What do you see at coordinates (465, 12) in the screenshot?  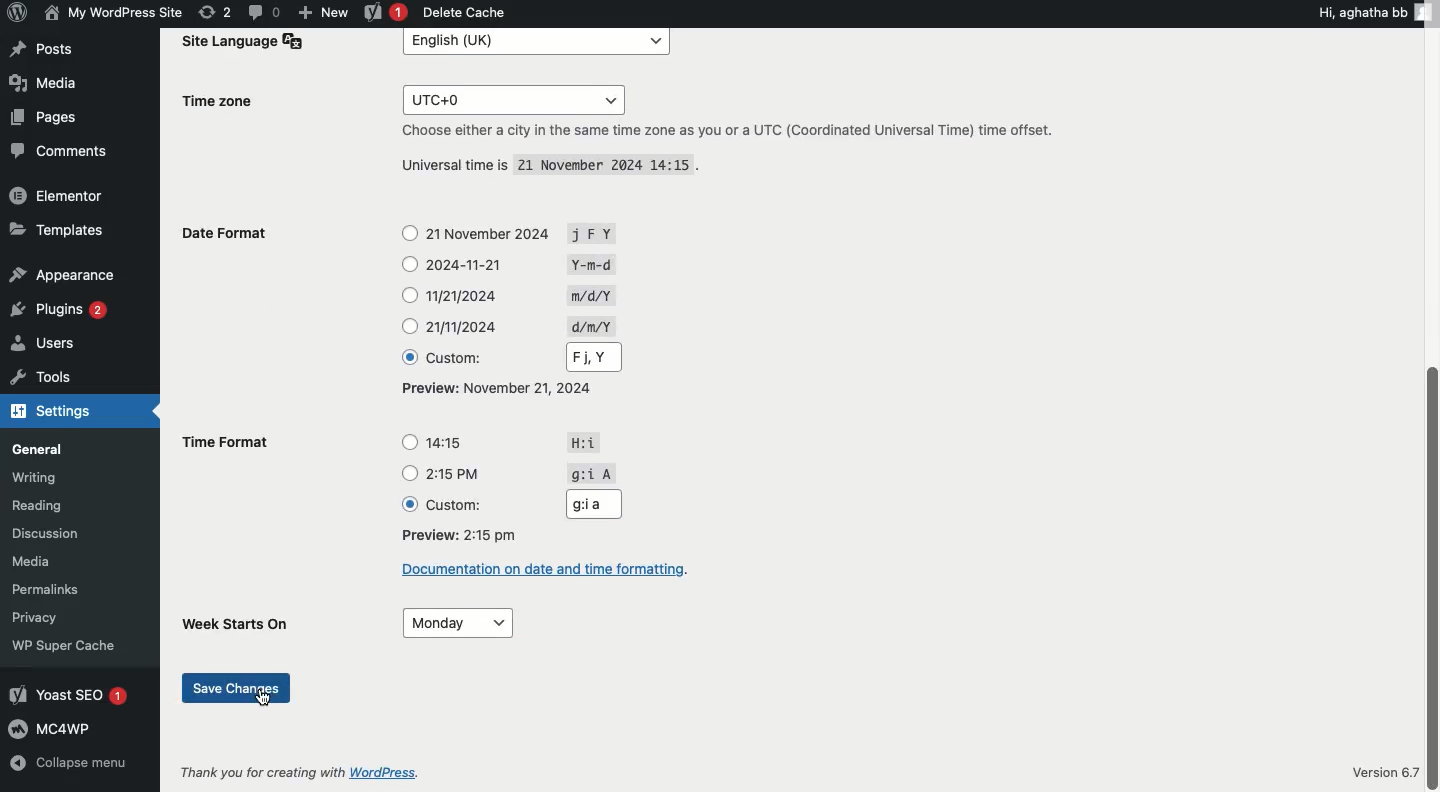 I see `Delete cache` at bounding box center [465, 12].